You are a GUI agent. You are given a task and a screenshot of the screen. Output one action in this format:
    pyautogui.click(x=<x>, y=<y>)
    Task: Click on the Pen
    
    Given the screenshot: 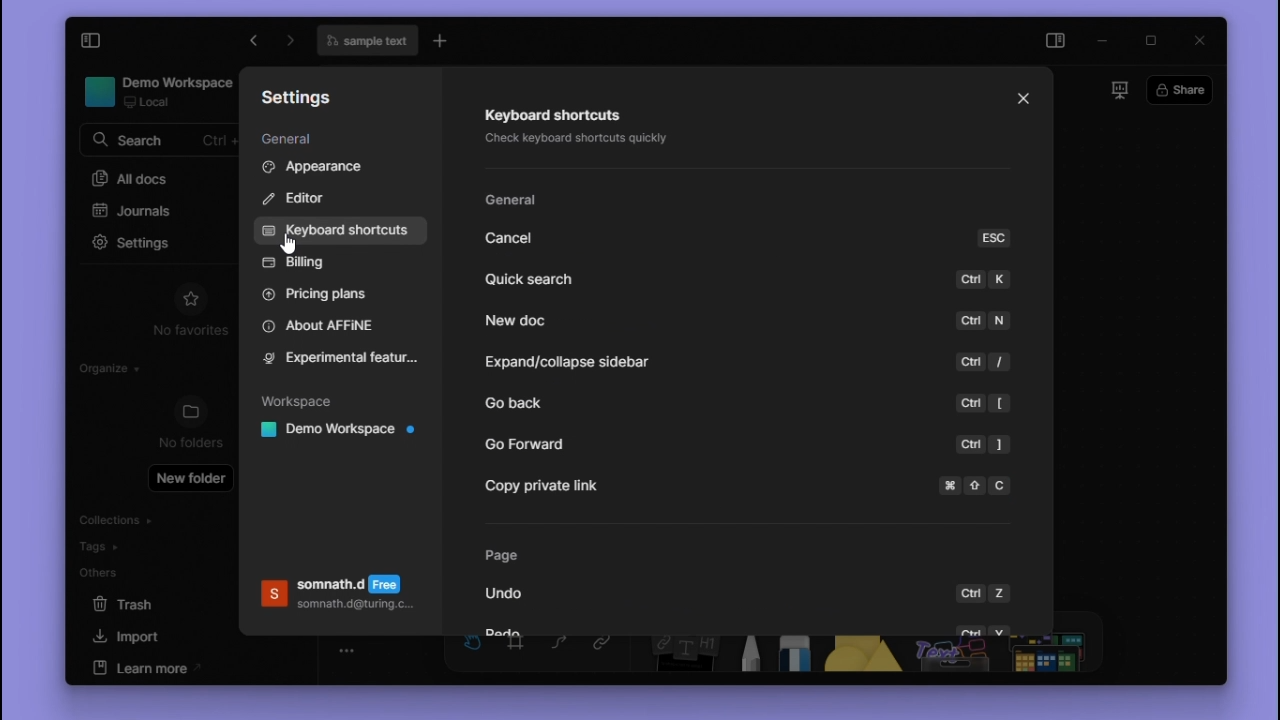 What is the action you would take?
    pyautogui.click(x=745, y=656)
    